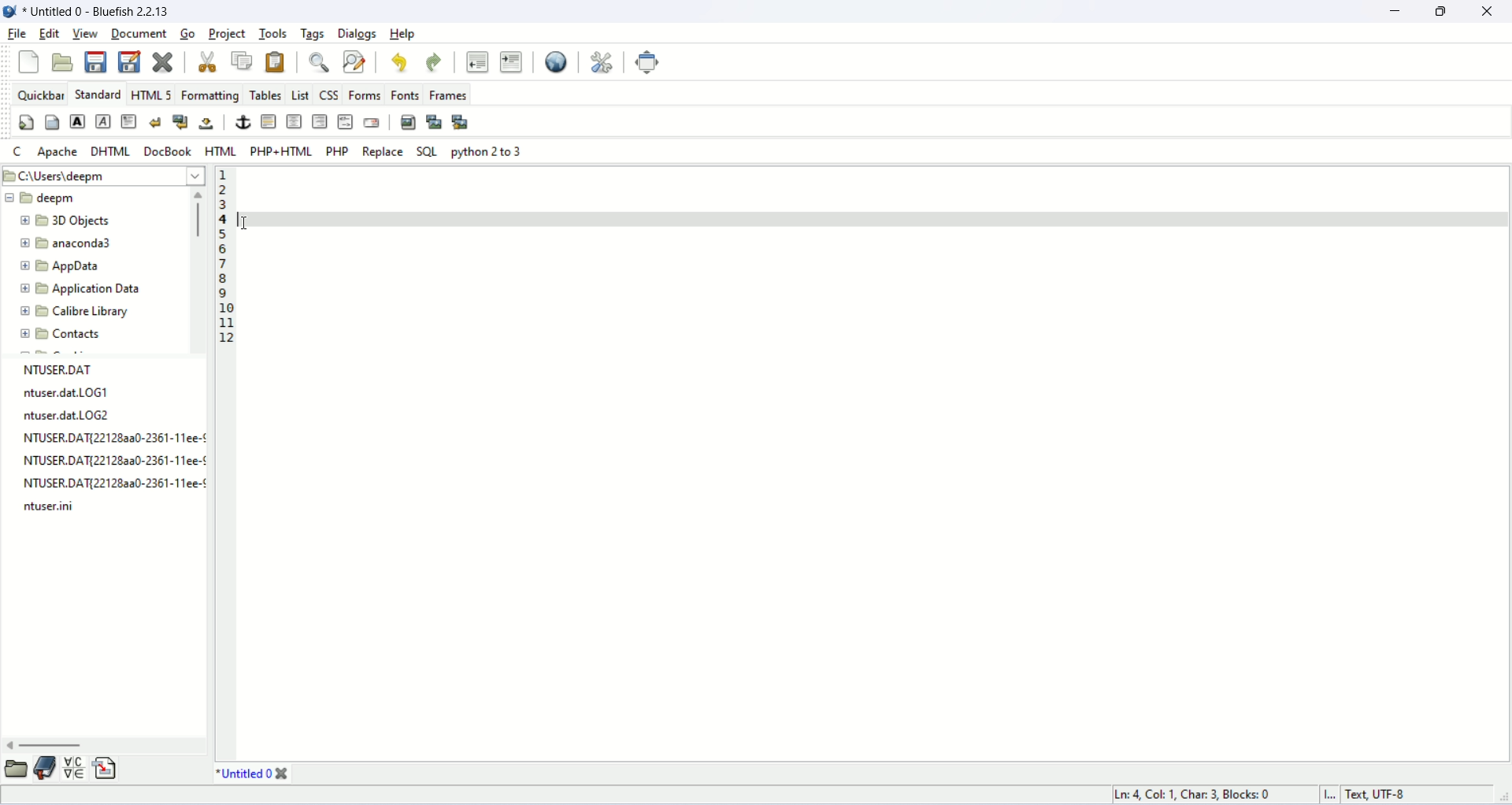  What do you see at coordinates (95, 337) in the screenshot?
I see `contacts` at bounding box center [95, 337].